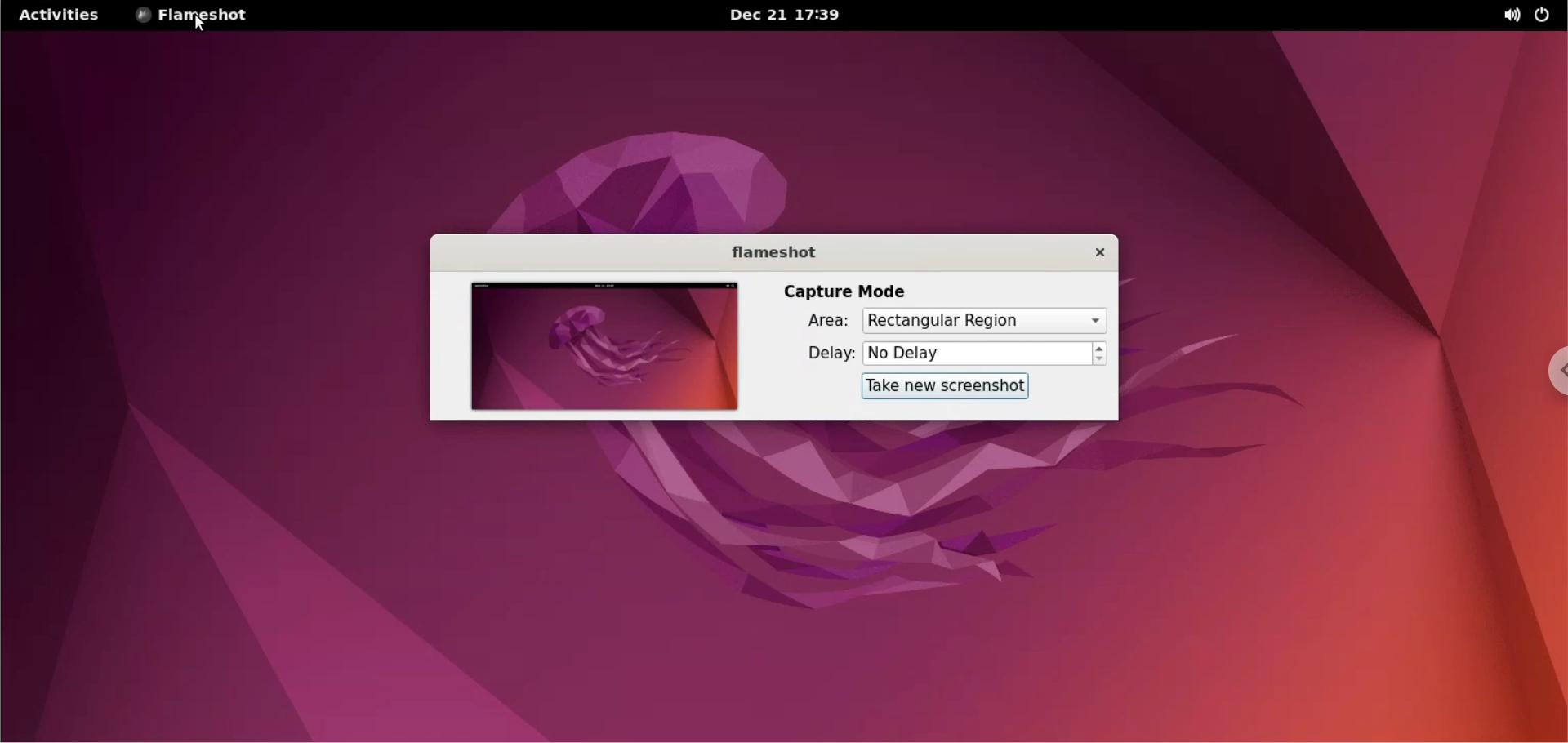  Describe the element at coordinates (977, 353) in the screenshot. I see `delay time` at that location.